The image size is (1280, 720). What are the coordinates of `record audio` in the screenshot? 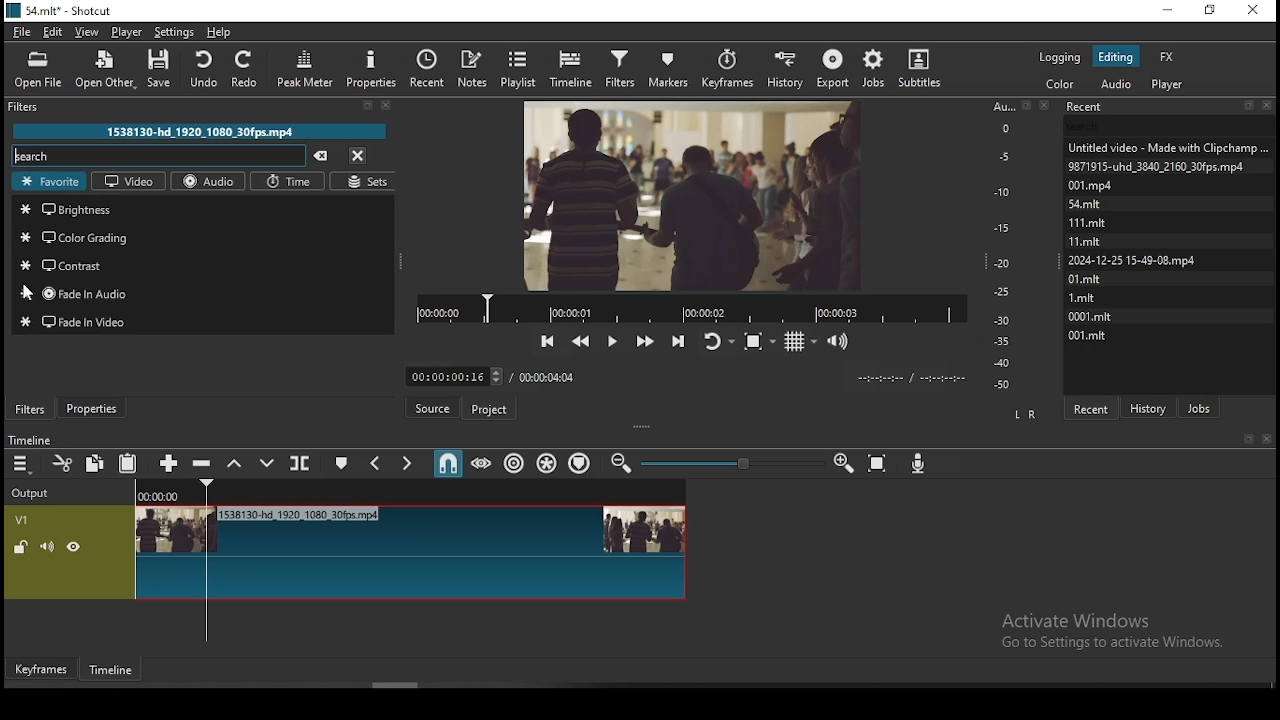 It's located at (919, 459).